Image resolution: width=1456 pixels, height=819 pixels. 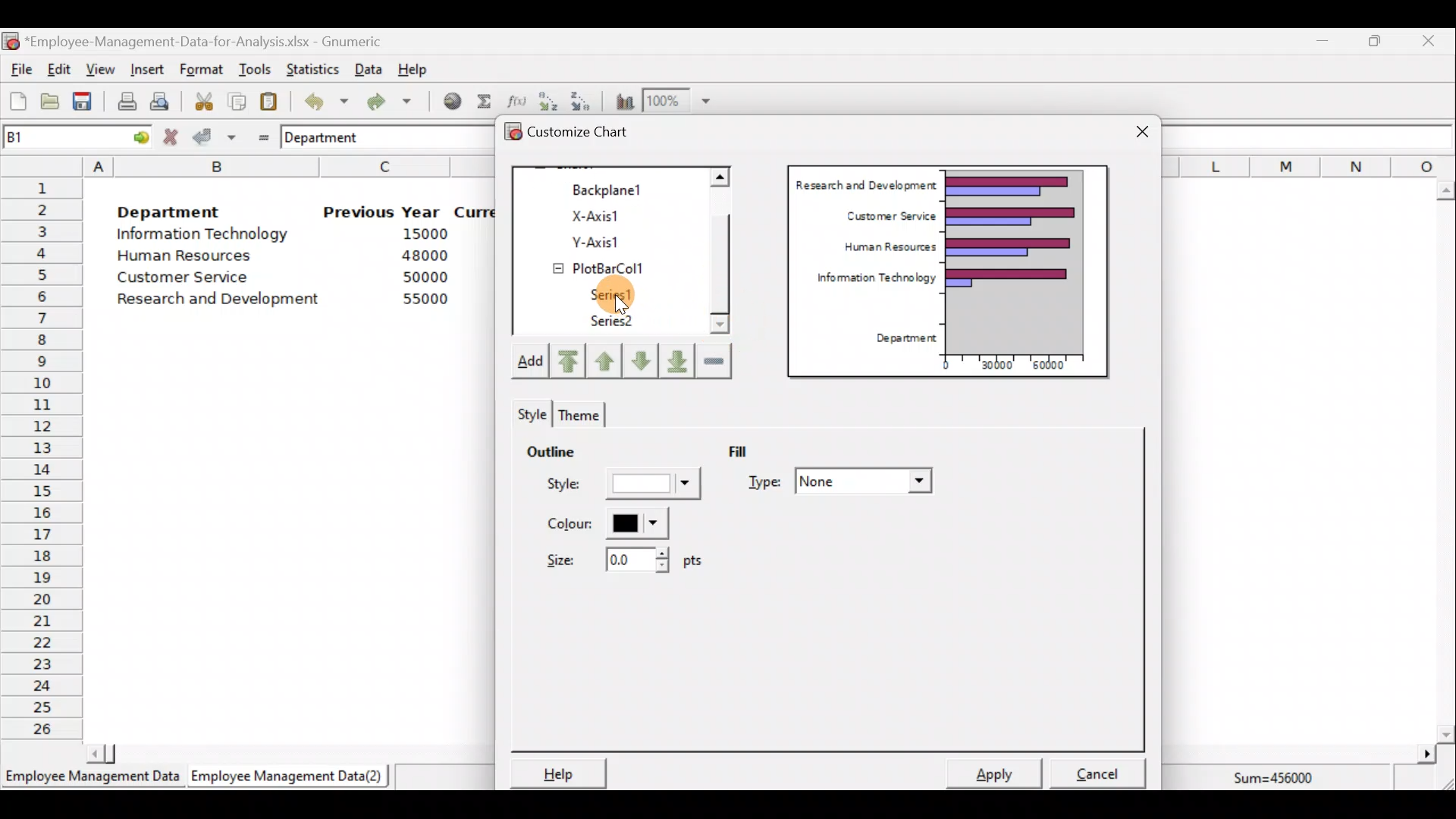 What do you see at coordinates (529, 364) in the screenshot?
I see `Add` at bounding box center [529, 364].